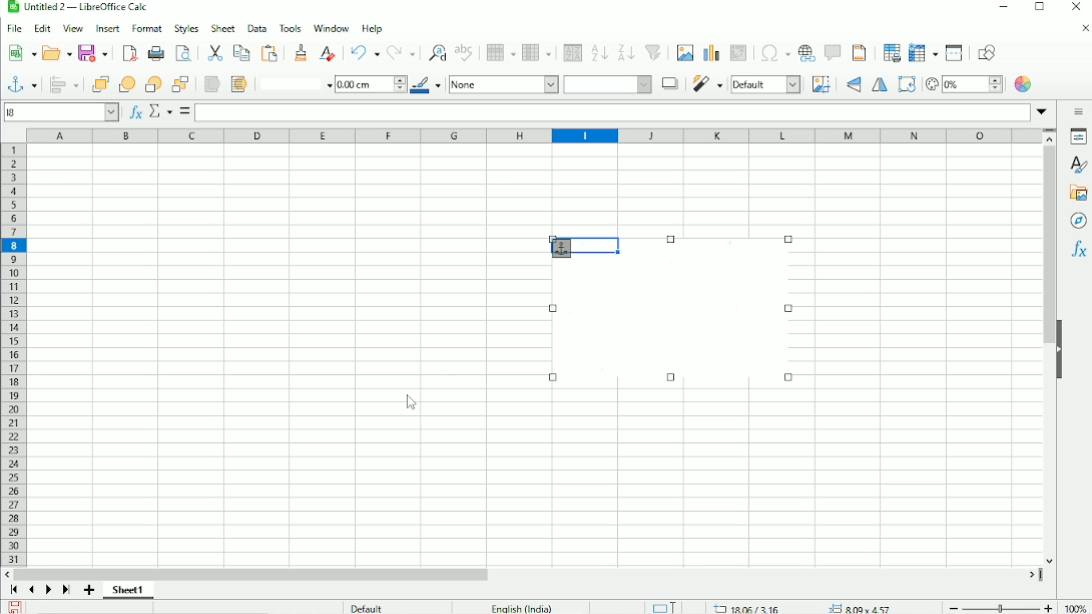 The image size is (1092, 614). Describe the element at coordinates (64, 86) in the screenshot. I see `align objects` at that location.